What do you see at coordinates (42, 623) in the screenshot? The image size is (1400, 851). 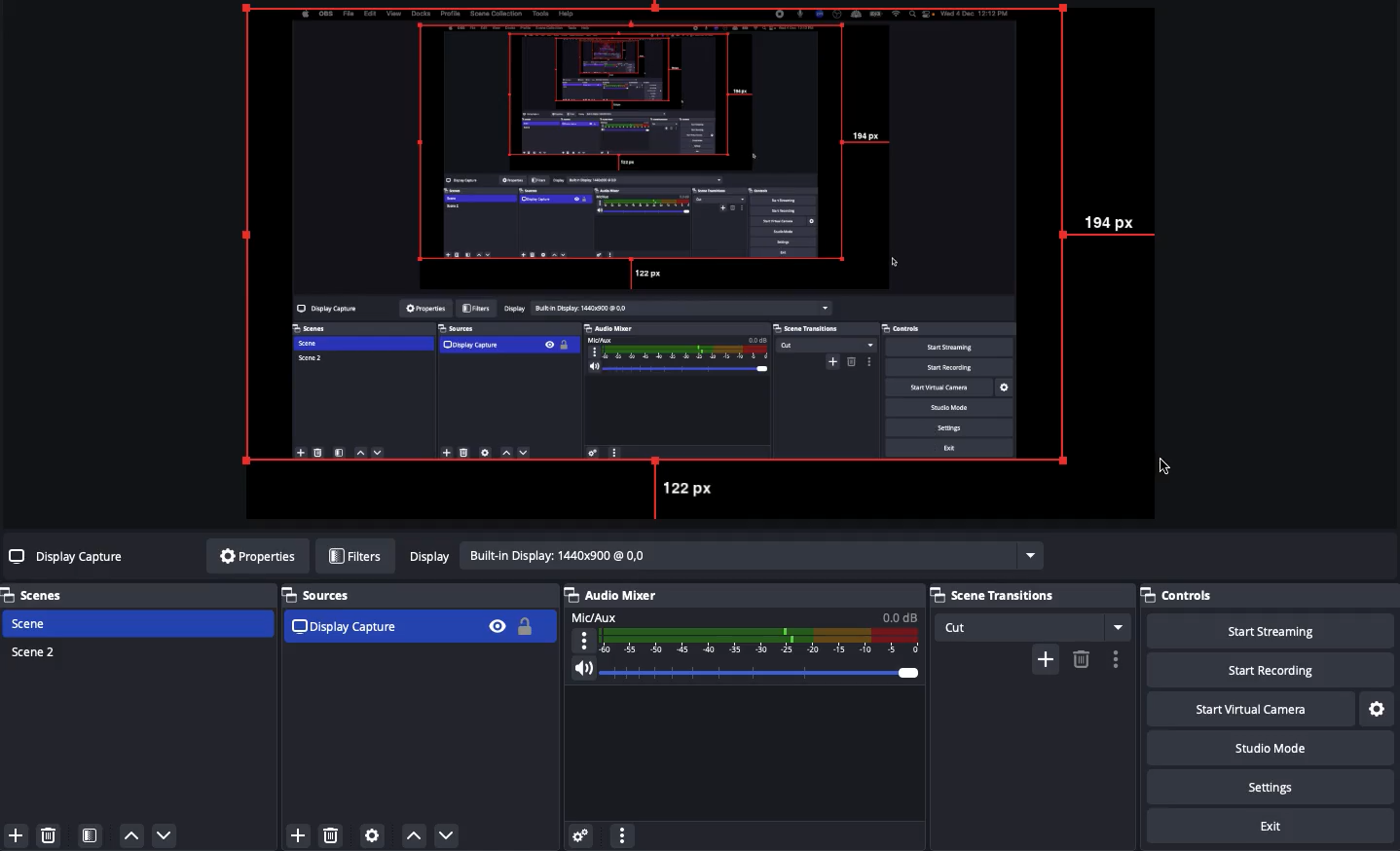 I see `Scene 1` at bounding box center [42, 623].